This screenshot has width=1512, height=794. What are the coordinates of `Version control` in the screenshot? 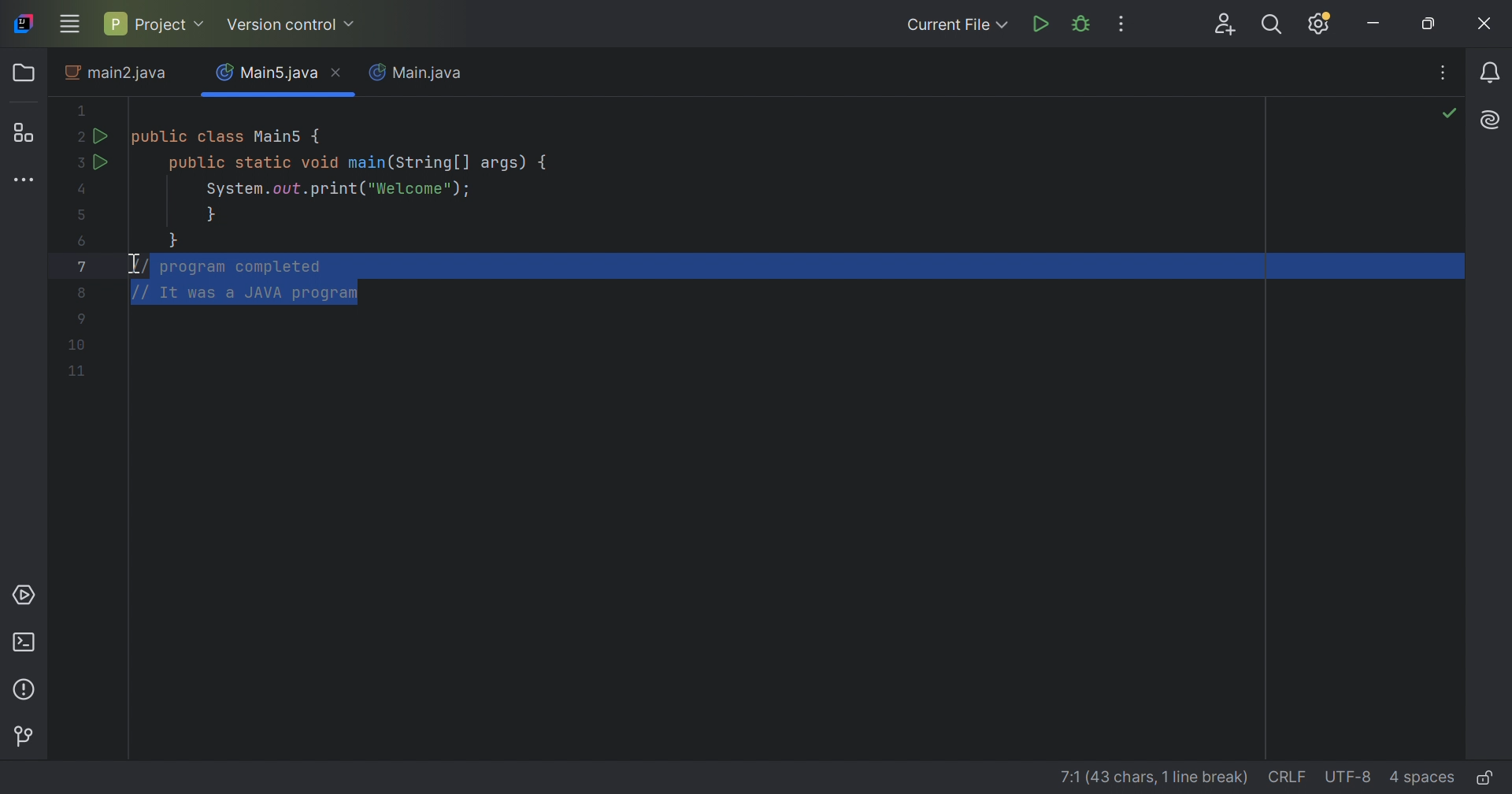 It's located at (24, 734).